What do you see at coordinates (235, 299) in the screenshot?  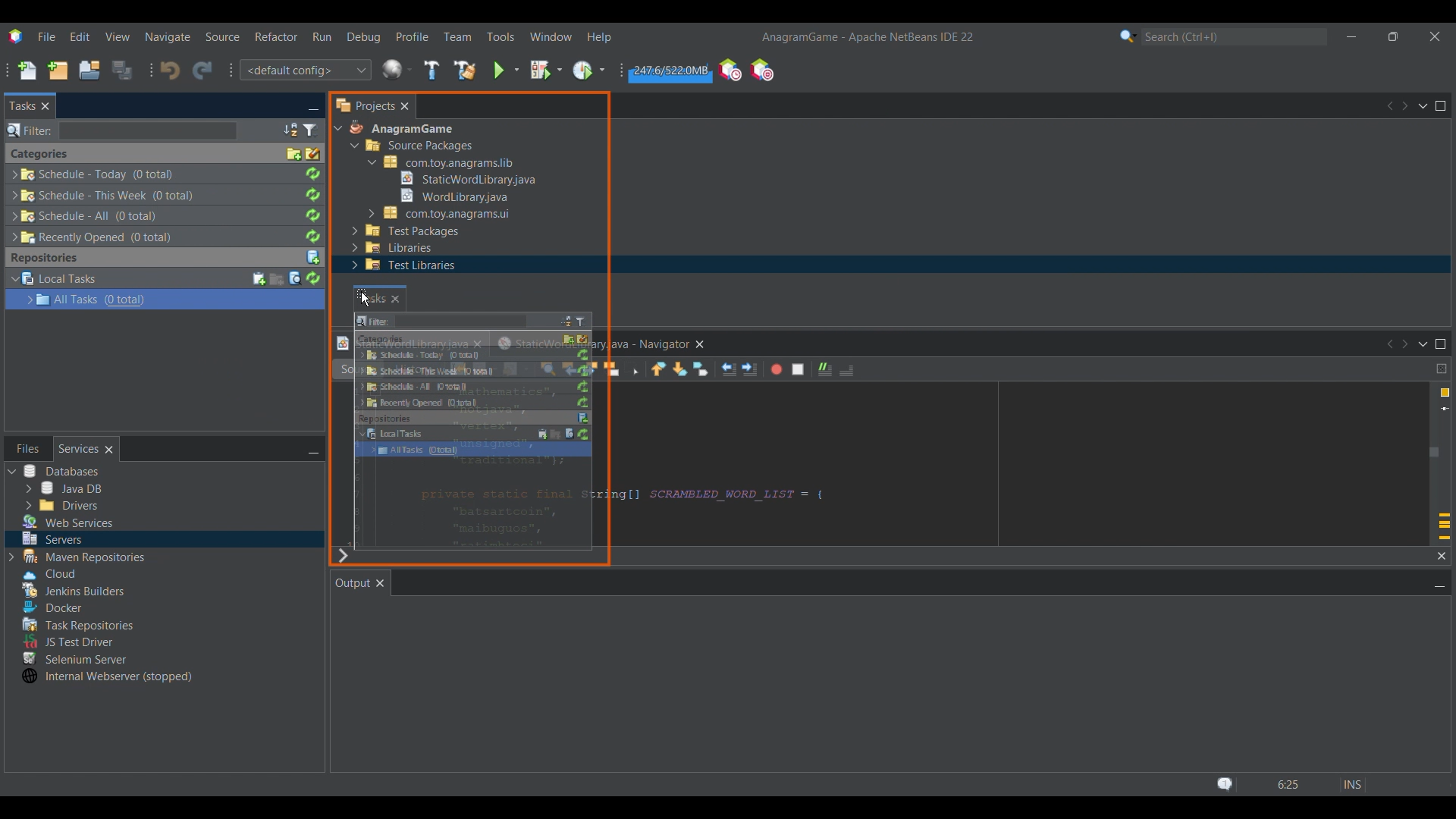 I see `Current selection highlighted` at bounding box center [235, 299].